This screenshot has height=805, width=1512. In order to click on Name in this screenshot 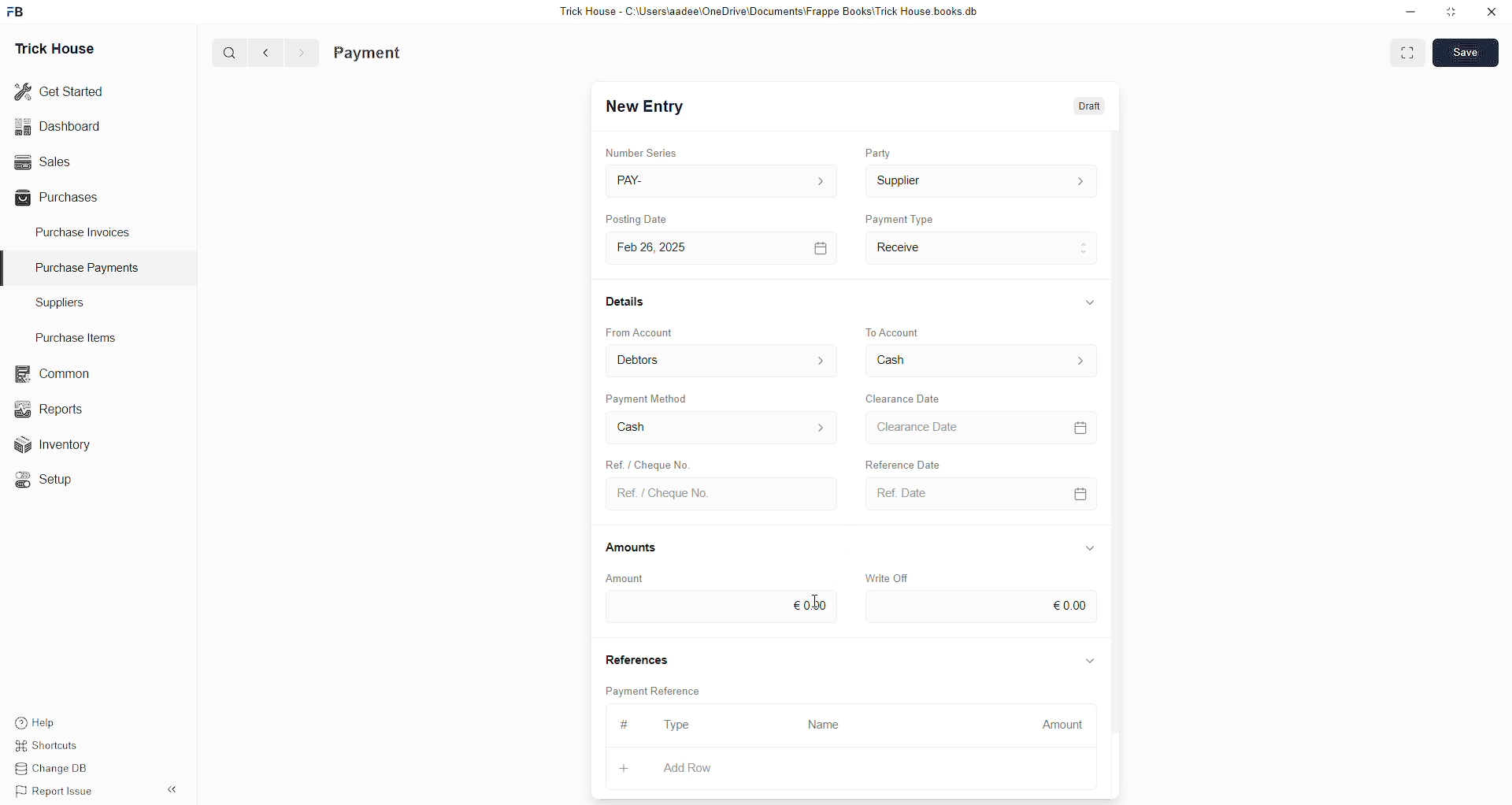, I will do `click(824, 725)`.